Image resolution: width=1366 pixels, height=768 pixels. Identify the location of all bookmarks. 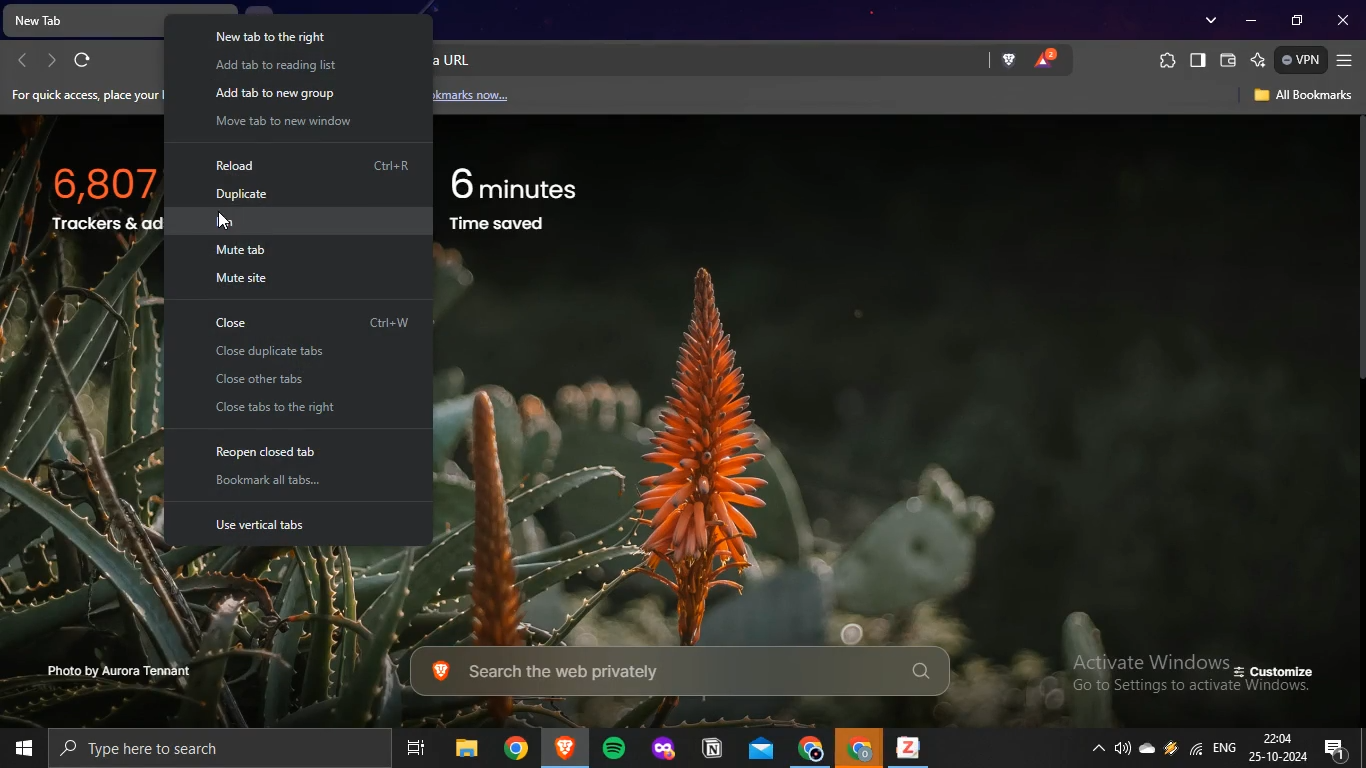
(1302, 98).